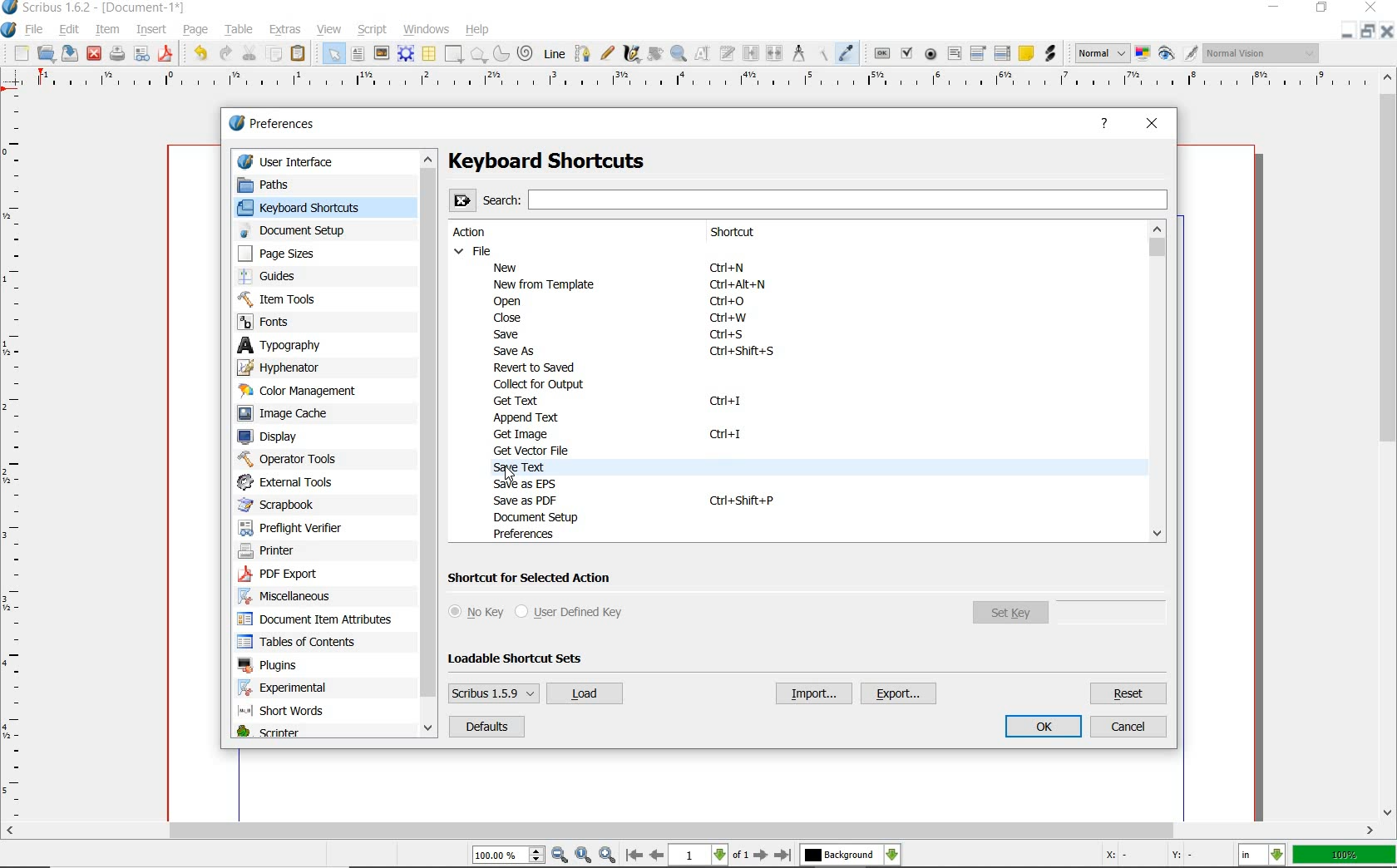  What do you see at coordinates (326, 160) in the screenshot?
I see `user interface` at bounding box center [326, 160].